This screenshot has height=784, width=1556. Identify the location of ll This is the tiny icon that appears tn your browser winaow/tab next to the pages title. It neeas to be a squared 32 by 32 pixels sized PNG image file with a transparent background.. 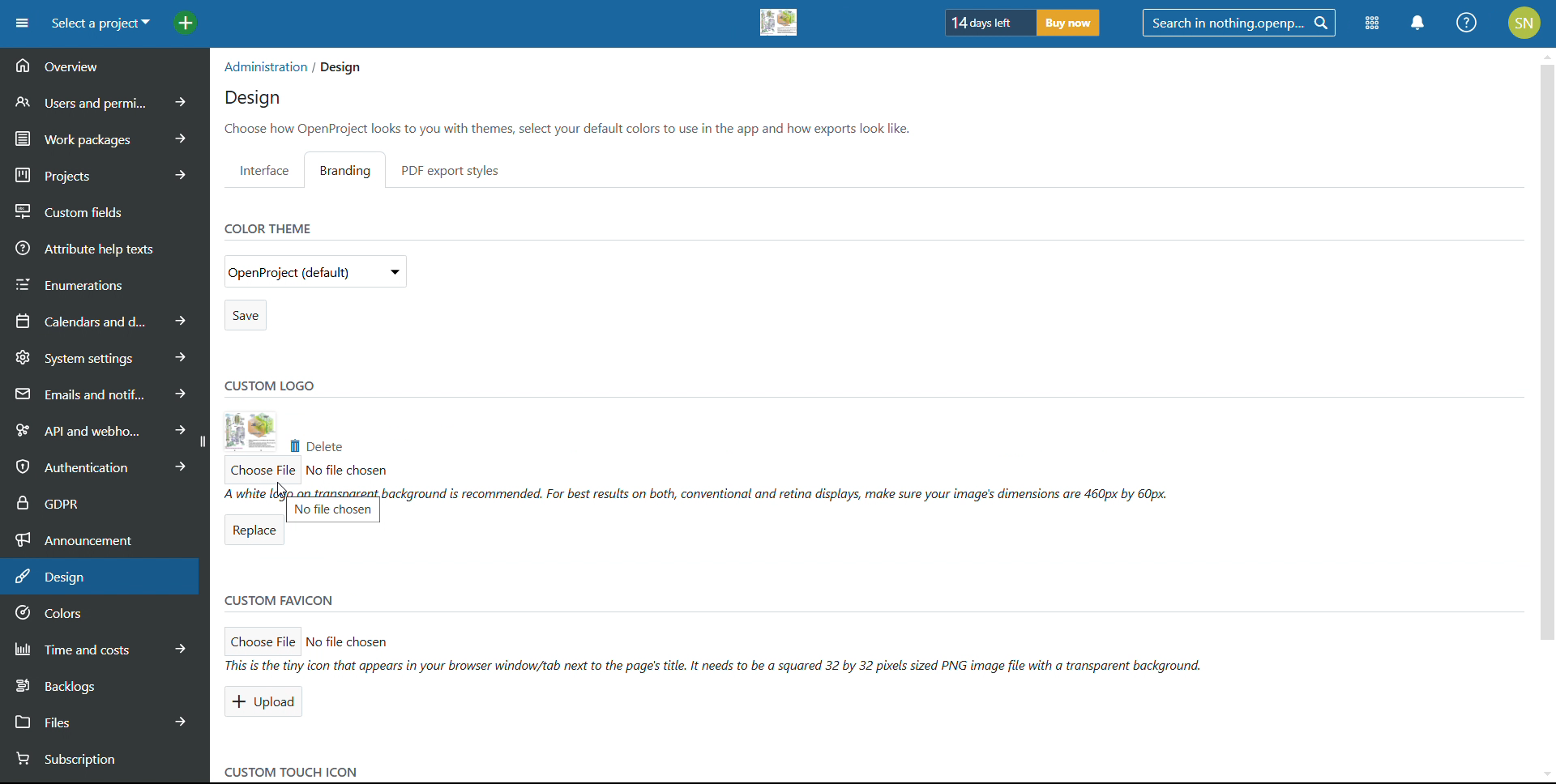
(725, 665).